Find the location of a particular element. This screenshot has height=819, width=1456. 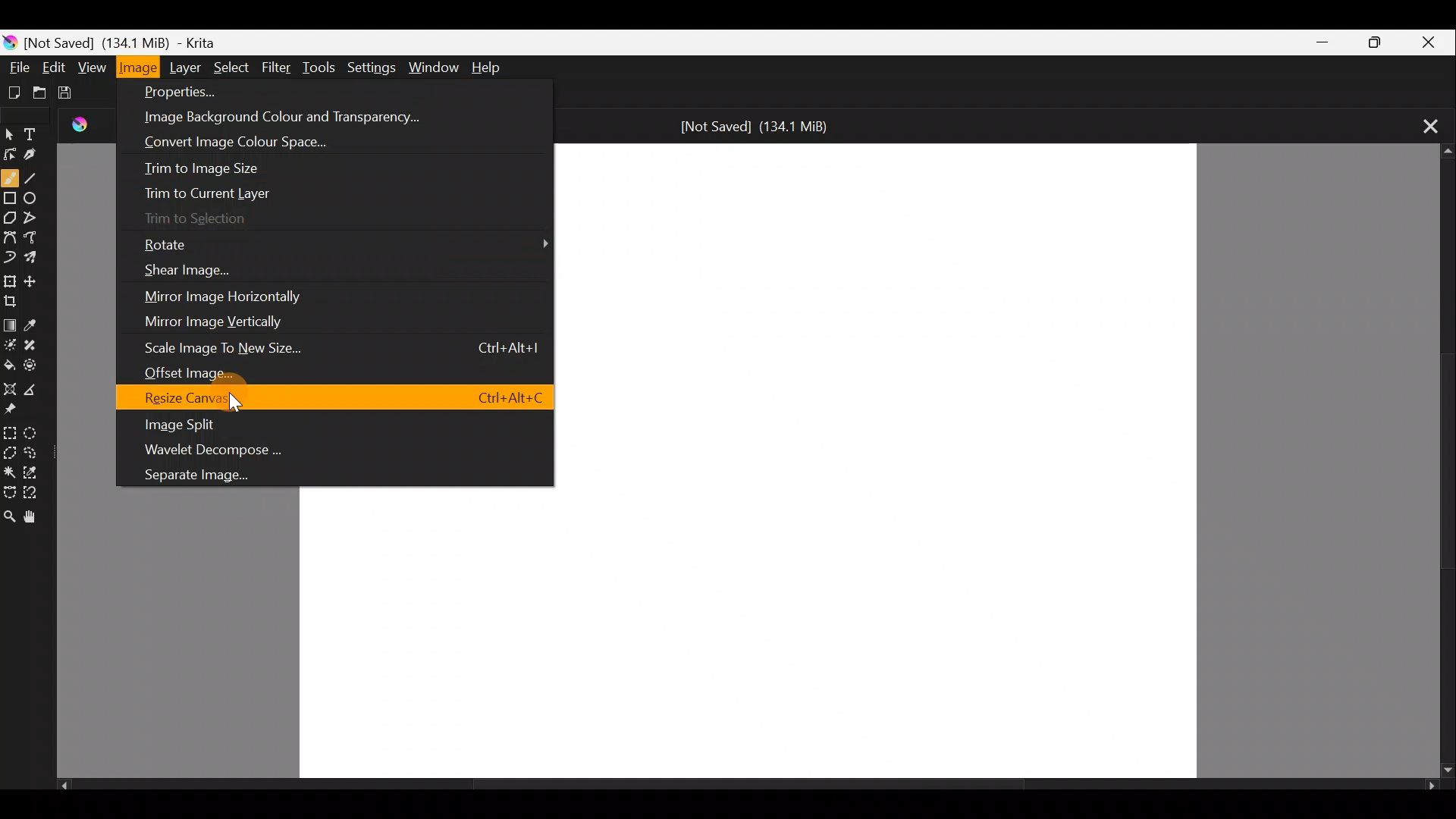

Tools is located at coordinates (322, 66).